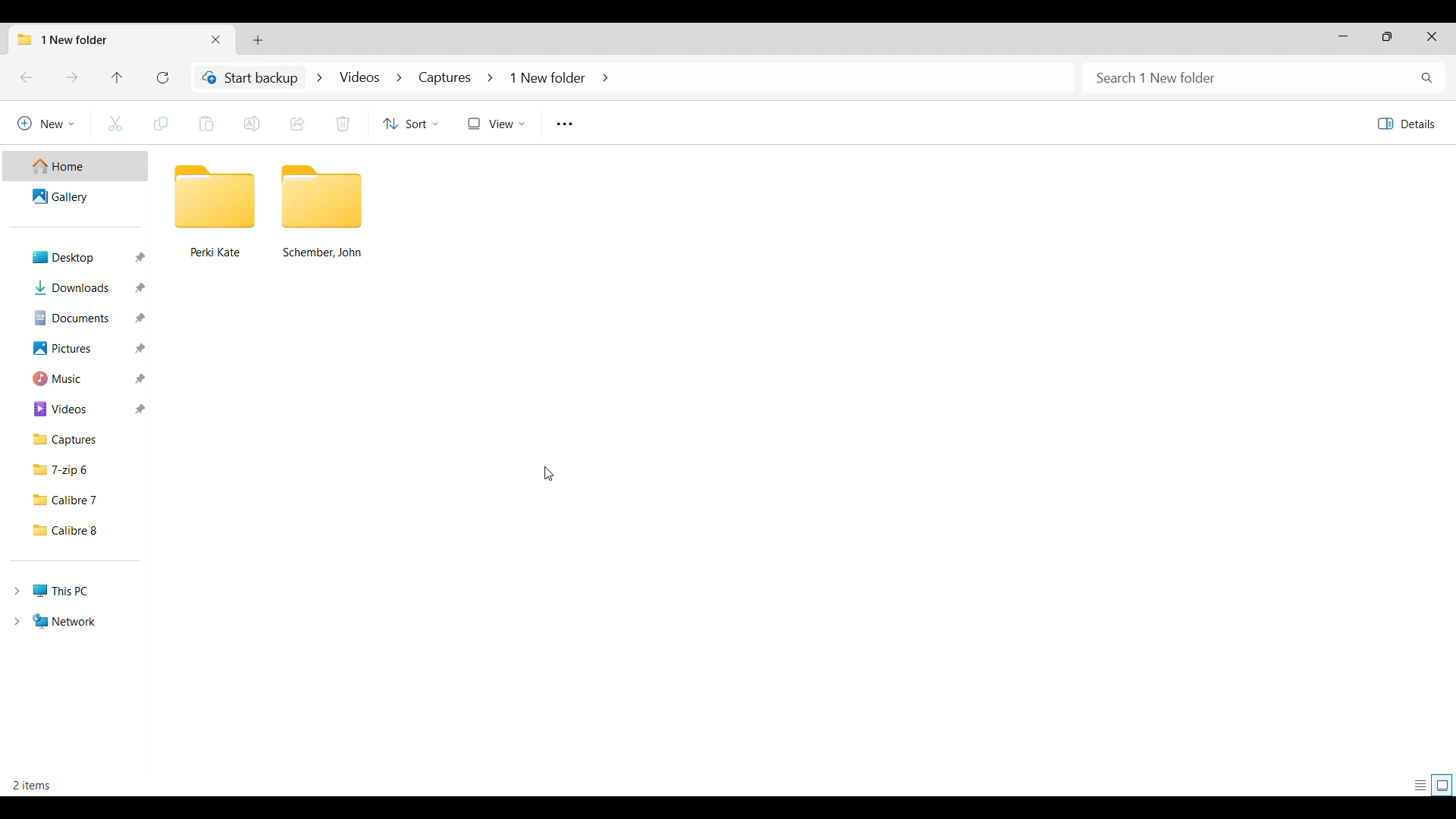 This screenshot has height=819, width=1456. Describe the element at coordinates (46, 123) in the screenshot. I see `Add new options` at that location.